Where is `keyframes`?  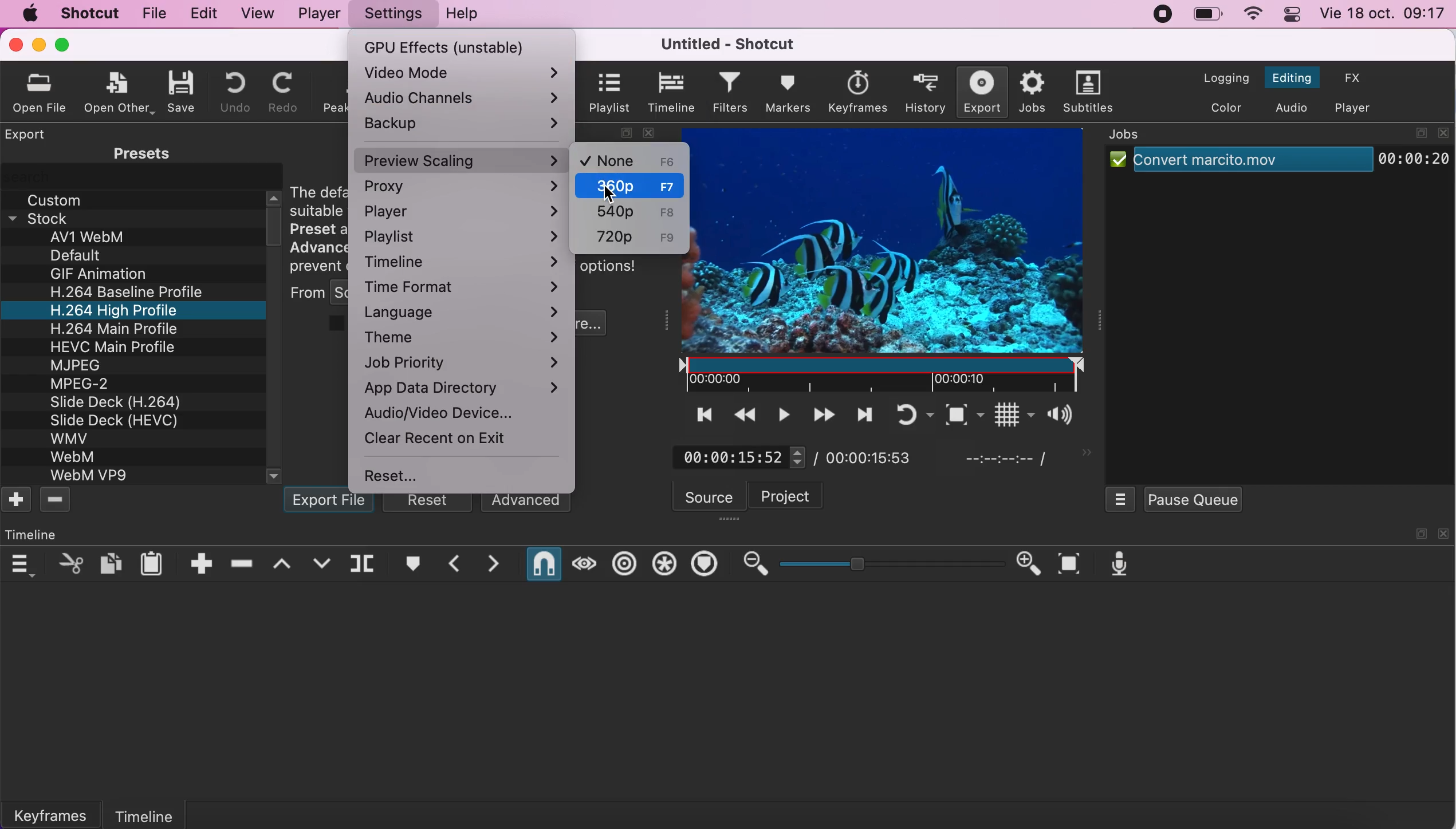
keyframes is located at coordinates (856, 90).